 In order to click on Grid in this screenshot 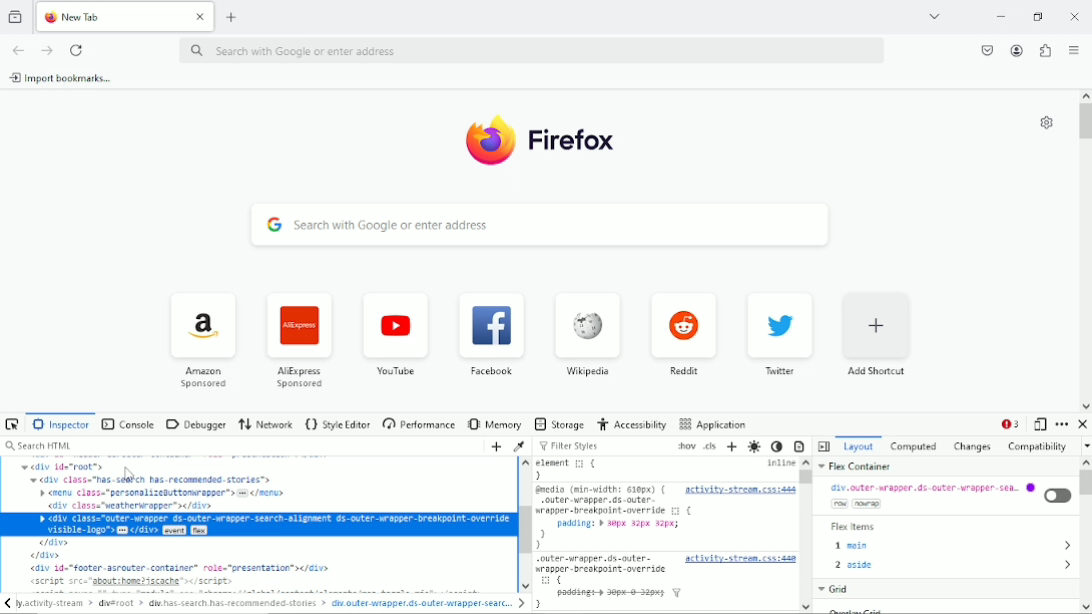, I will do `click(834, 590)`.